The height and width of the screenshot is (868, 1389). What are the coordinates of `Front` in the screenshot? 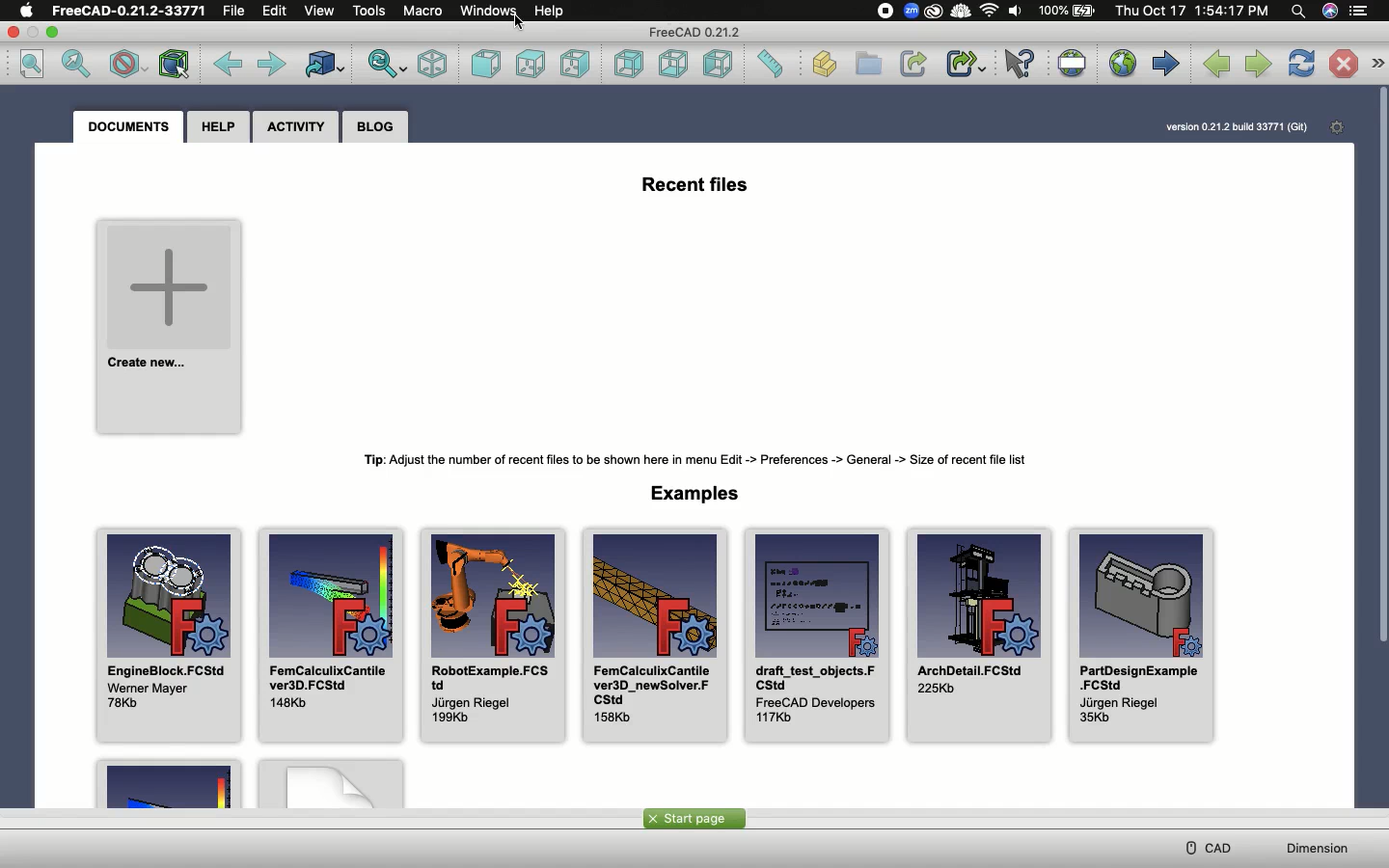 It's located at (486, 64).